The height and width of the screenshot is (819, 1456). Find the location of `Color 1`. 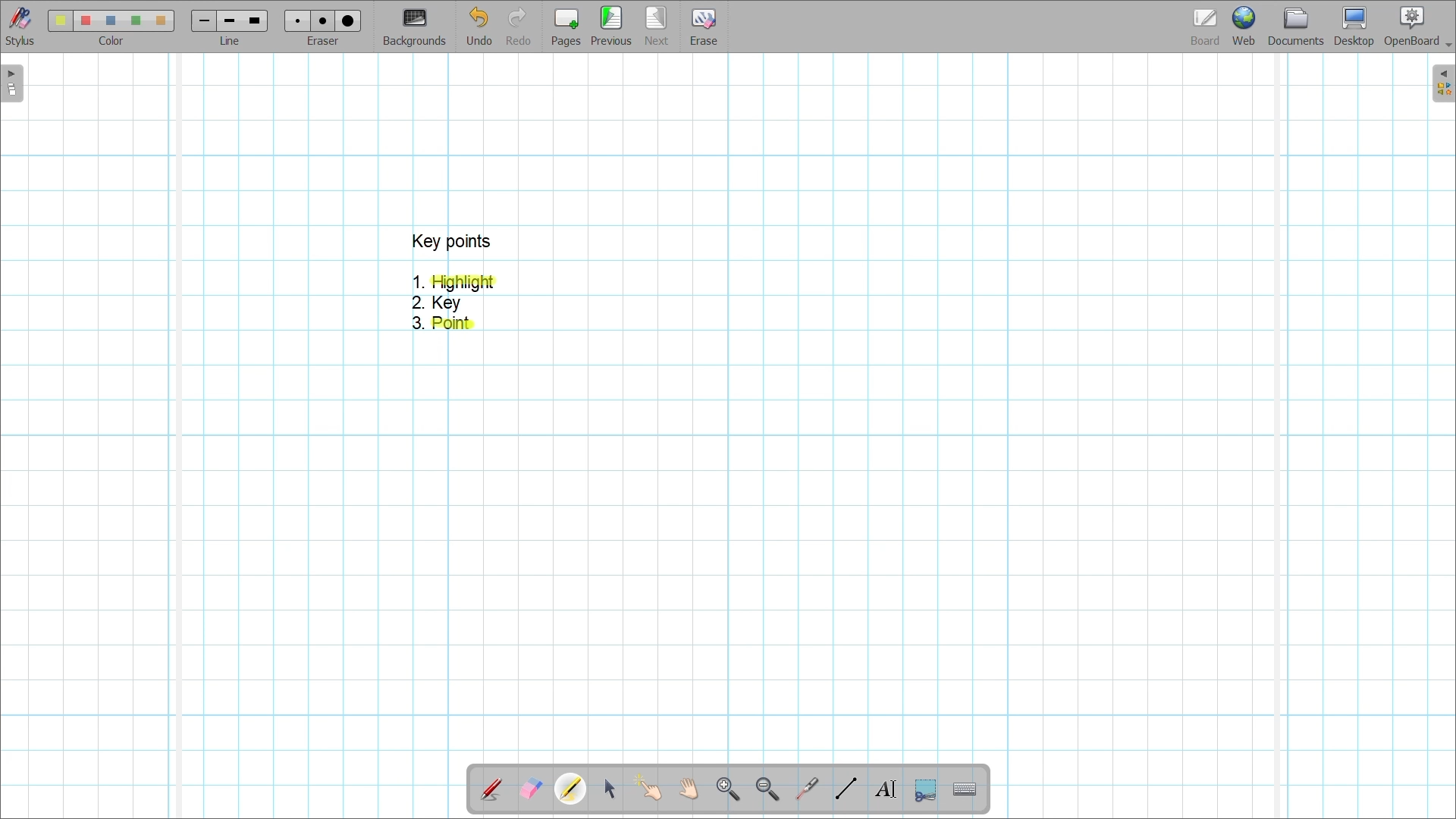

Color 1 is located at coordinates (60, 20).